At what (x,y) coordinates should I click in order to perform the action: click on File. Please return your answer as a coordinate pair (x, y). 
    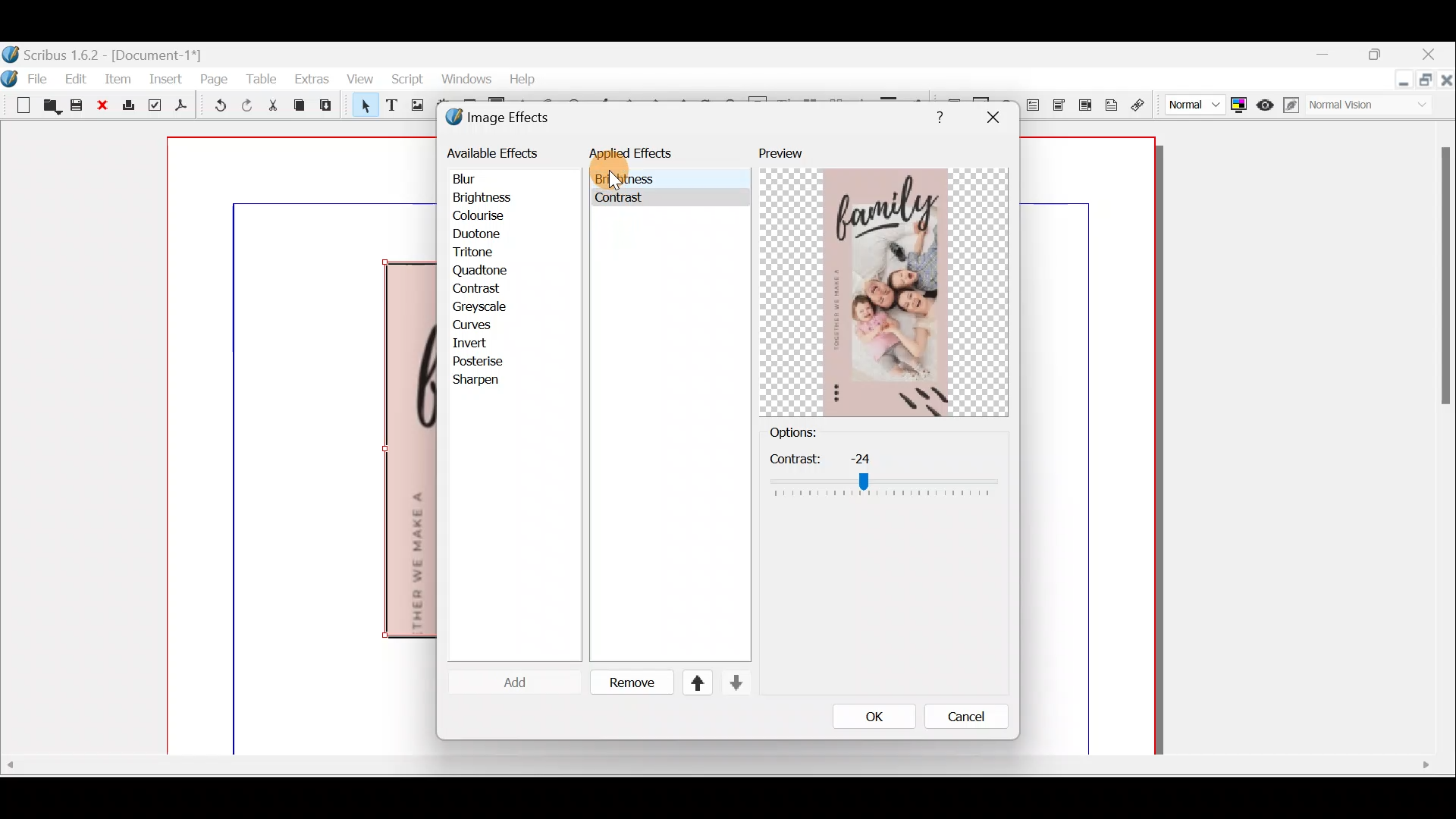
    Looking at the image, I should click on (43, 77).